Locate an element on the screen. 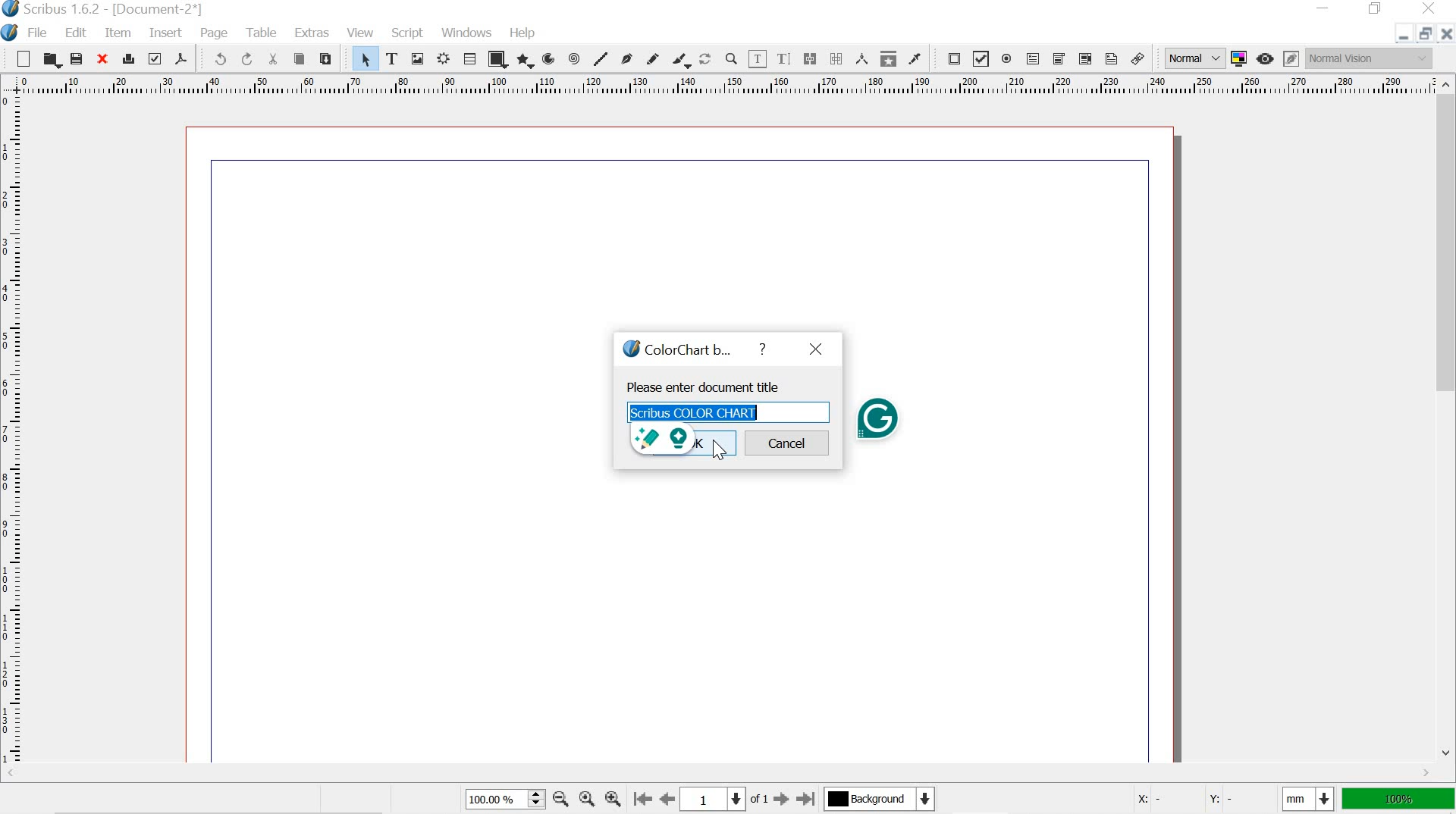  save is located at coordinates (79, 60).